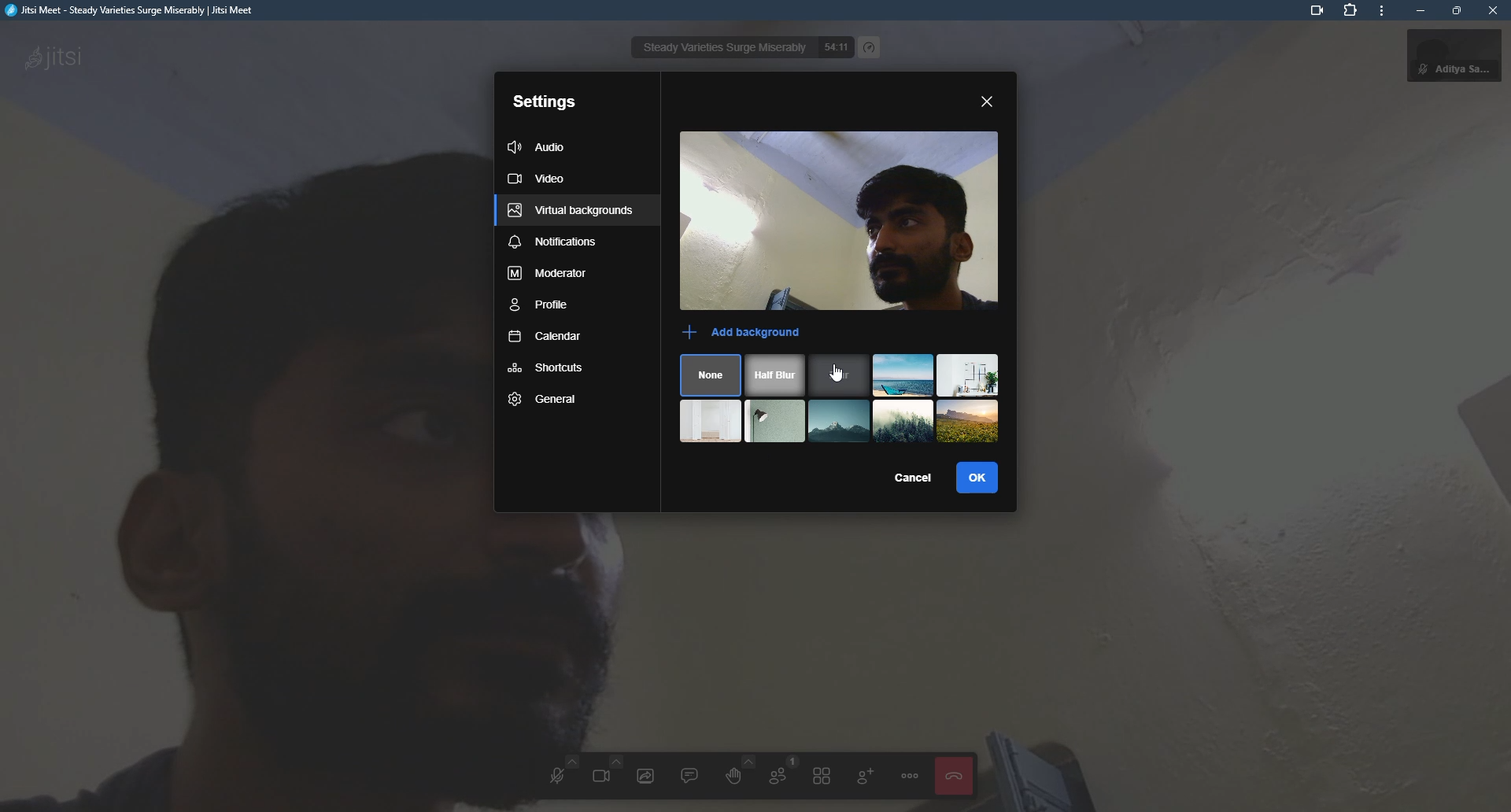 The height and width of the screenshot is (812, 1511). What do you see at coordinates (1456, 10) in the screenshot?
I see `maximize` at bounding box center [1456, 10].